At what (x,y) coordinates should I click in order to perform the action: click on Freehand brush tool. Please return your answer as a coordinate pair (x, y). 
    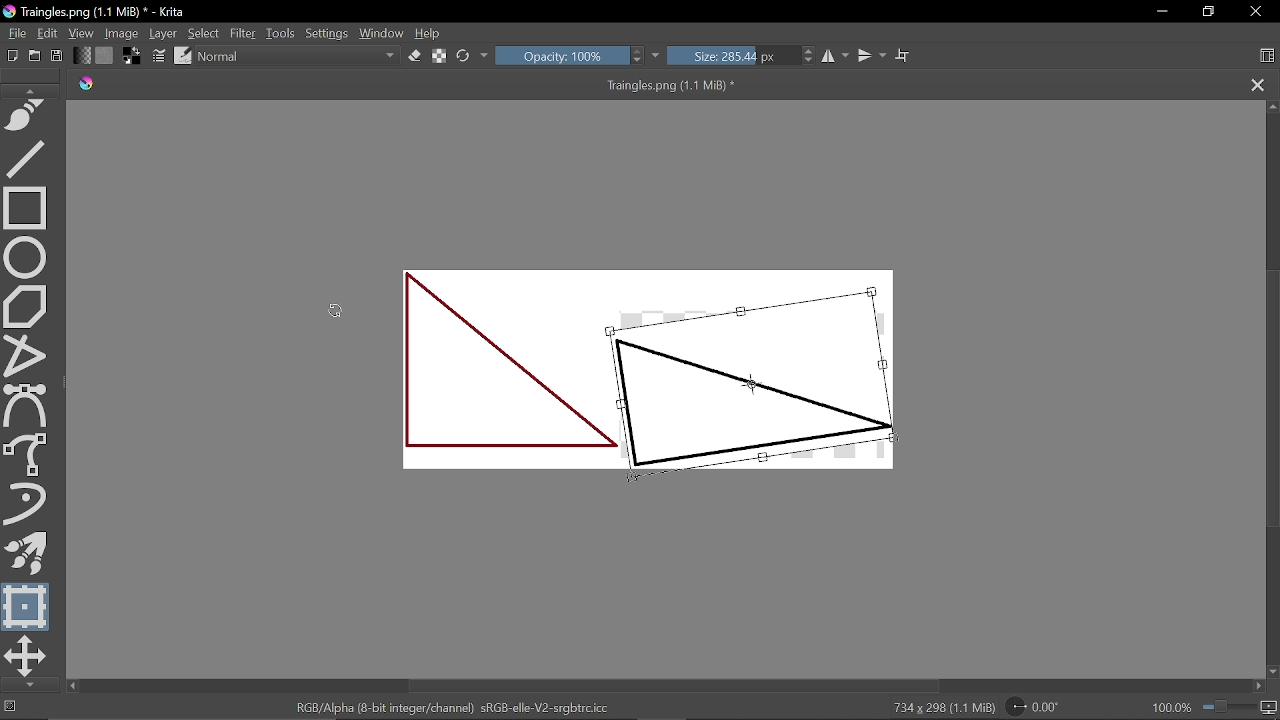
    Looking at the image, I should click on (29, 455).